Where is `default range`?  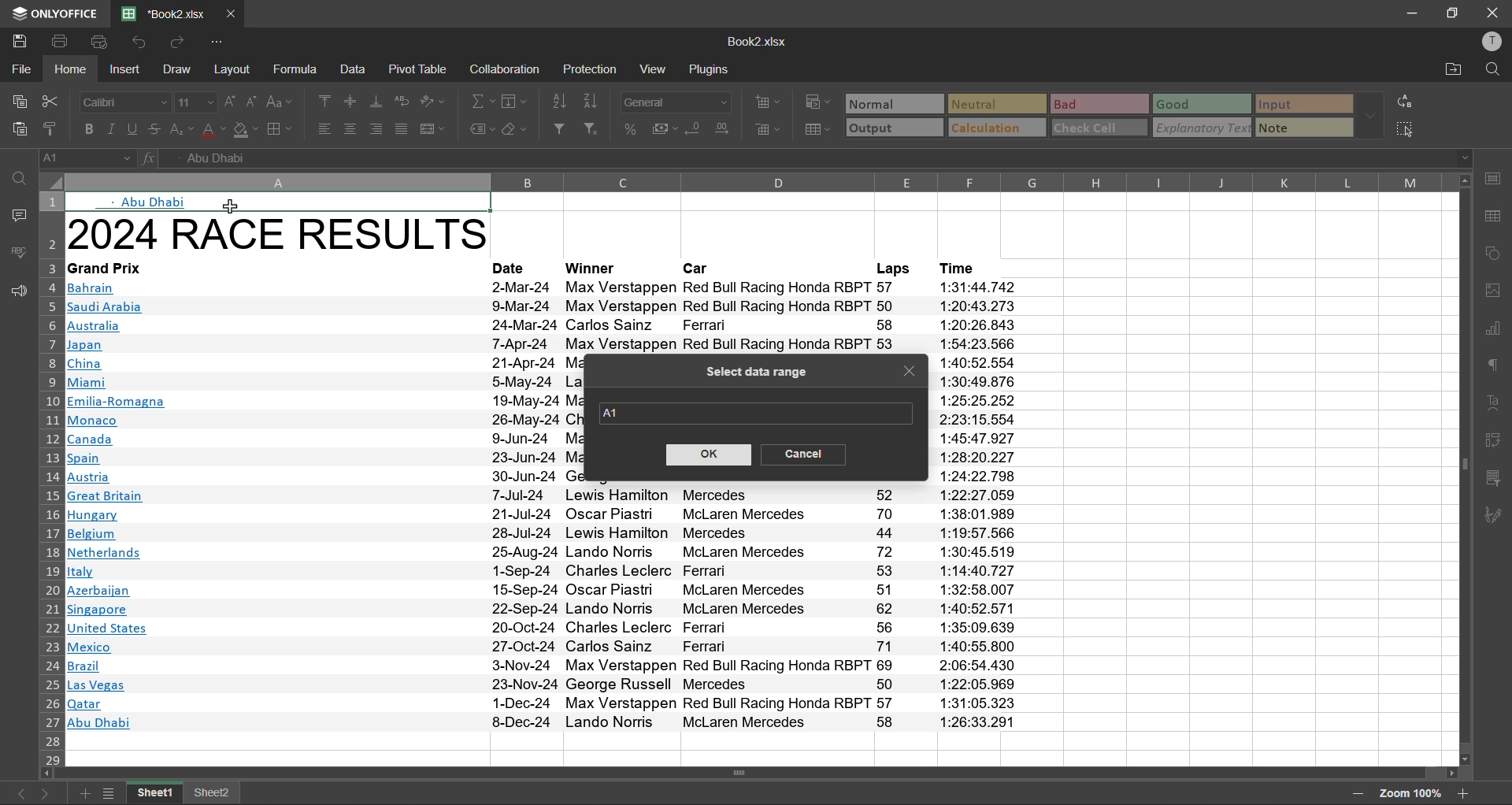
default range is located at coordinates (613, 415).